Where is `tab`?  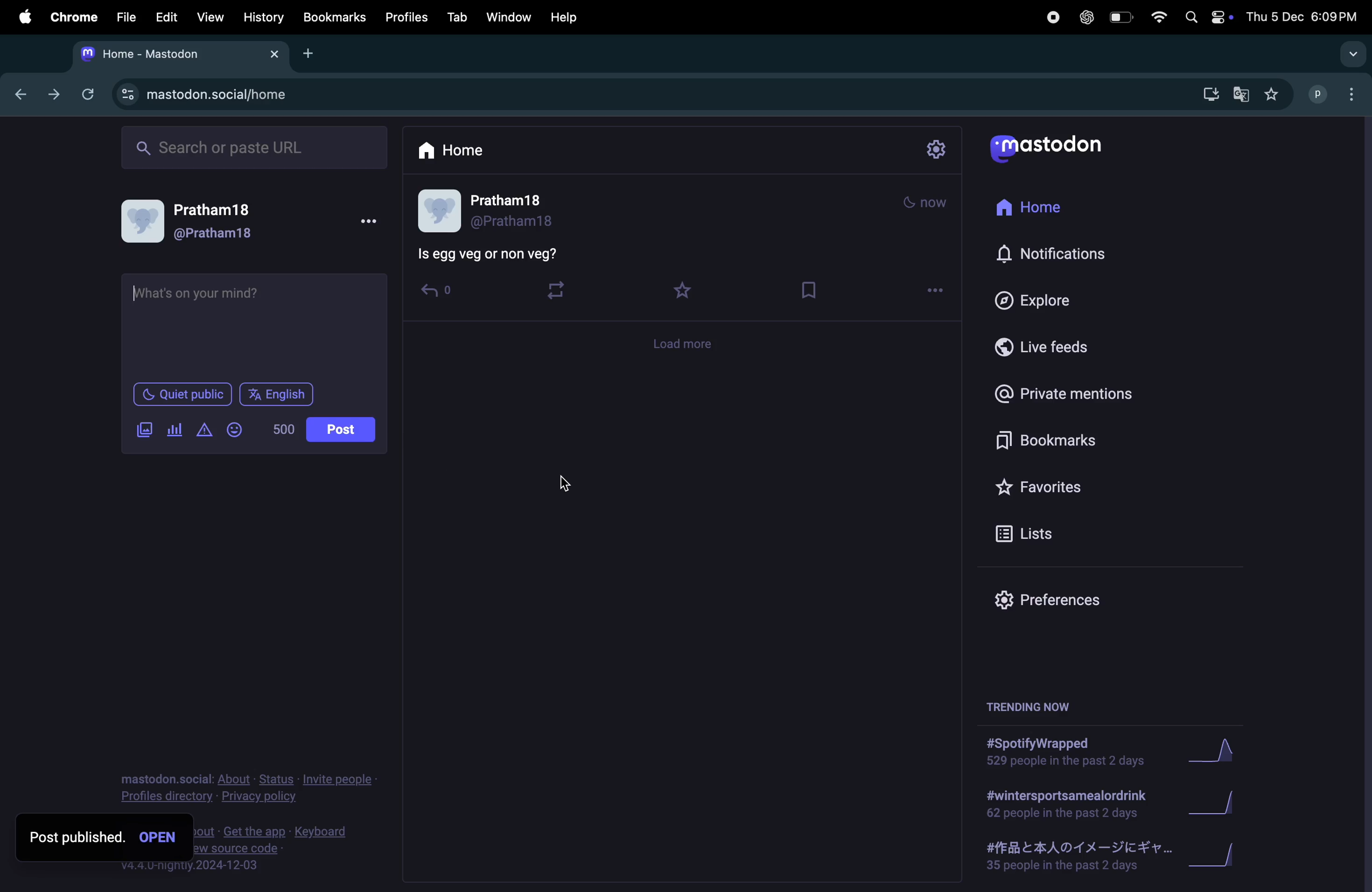 tab is located at coordinates (455, 18).